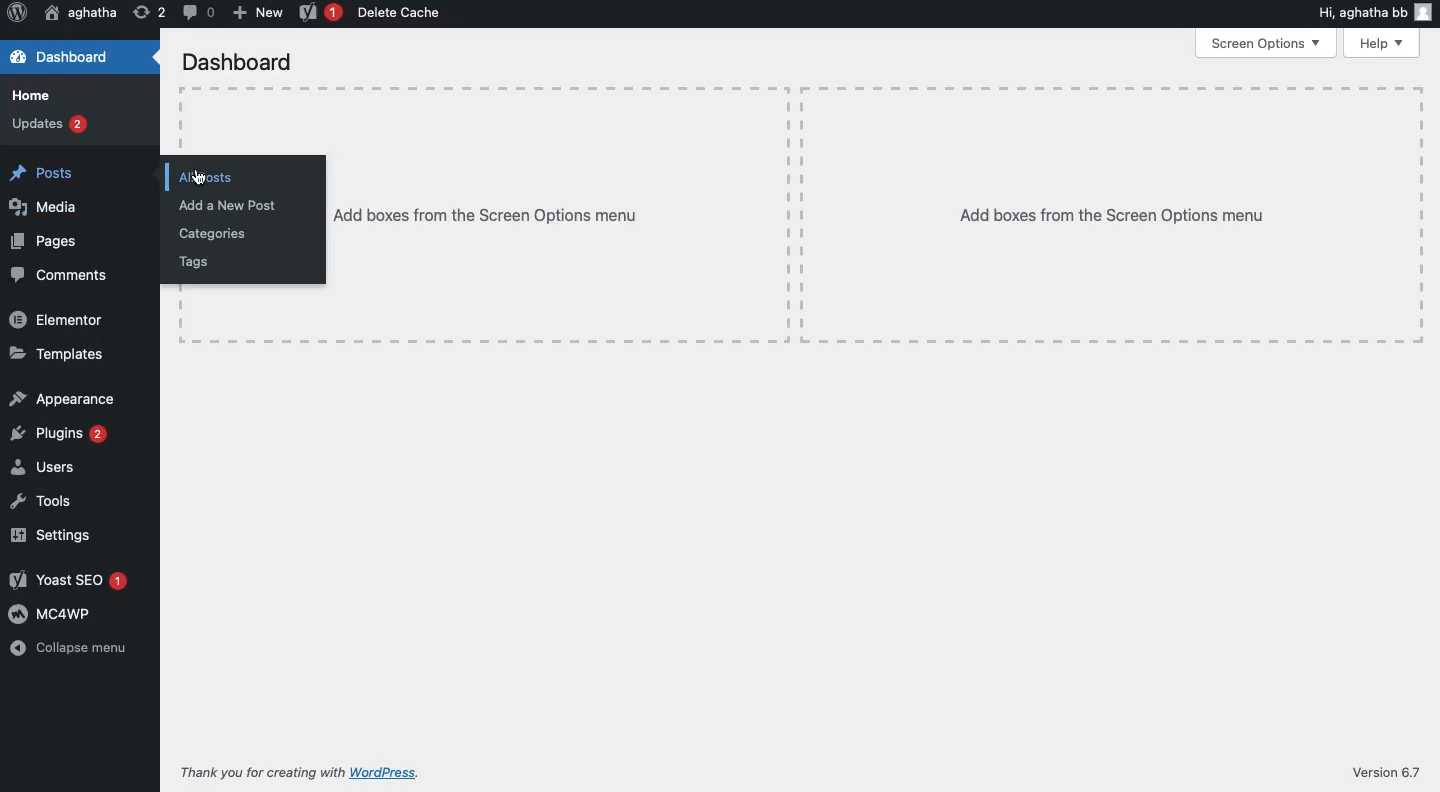 The width and height of the screenshot is (1440, 792). What do you see at coordinates (52, 613) in the screenshot?
I see `mcawe` at bounding box center [52, 613].